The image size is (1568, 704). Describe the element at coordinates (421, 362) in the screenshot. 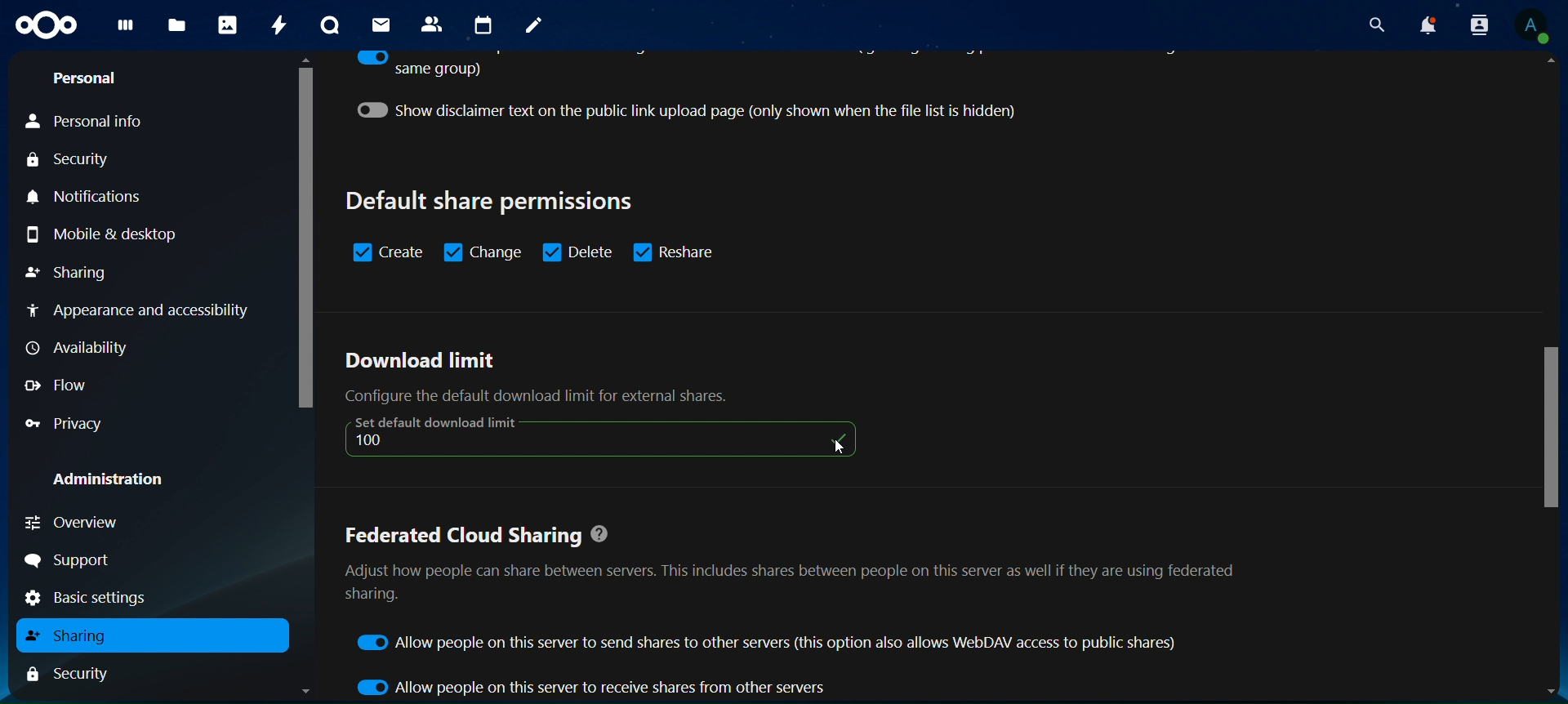

I see `Download limit` at that location.